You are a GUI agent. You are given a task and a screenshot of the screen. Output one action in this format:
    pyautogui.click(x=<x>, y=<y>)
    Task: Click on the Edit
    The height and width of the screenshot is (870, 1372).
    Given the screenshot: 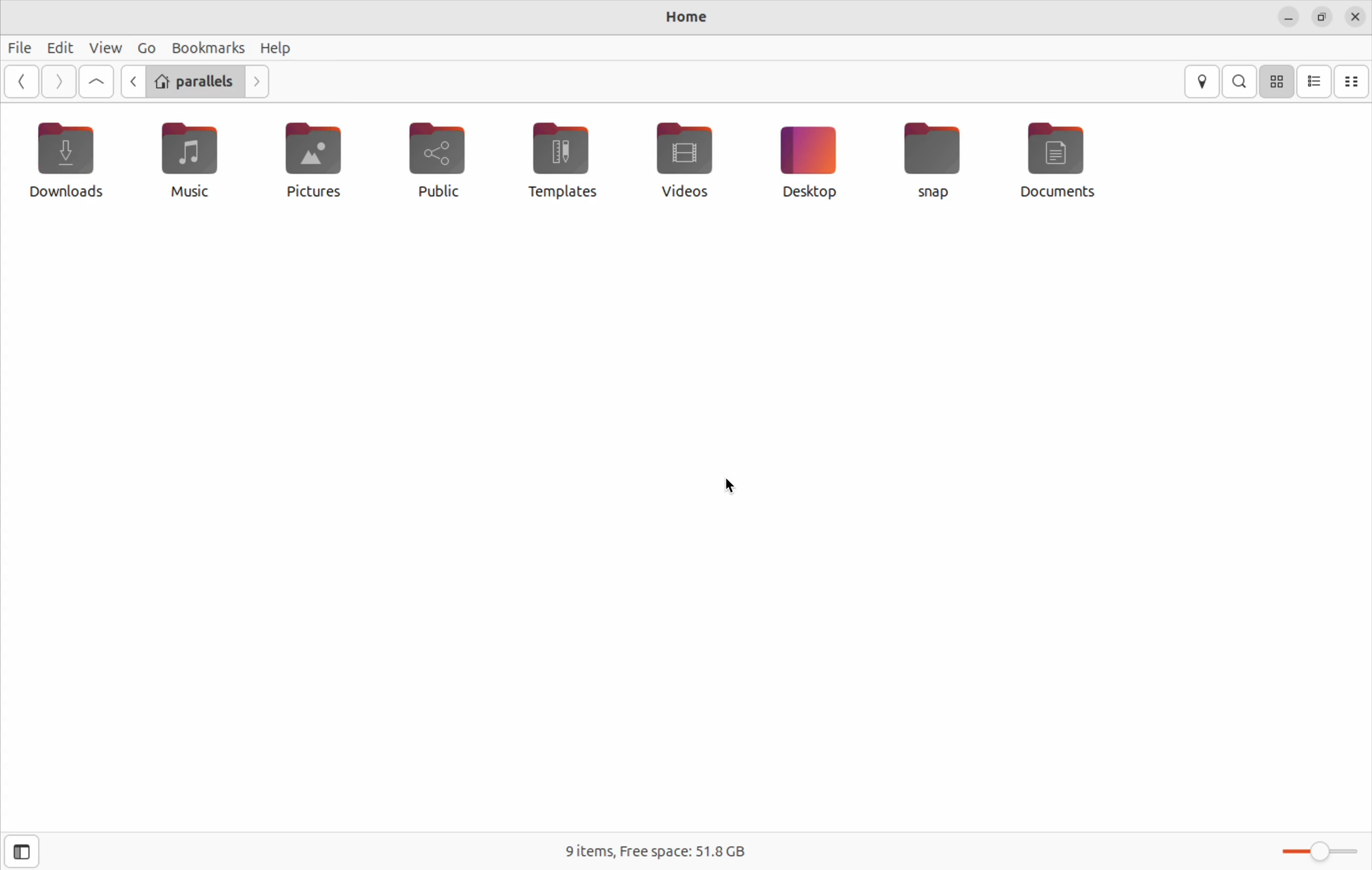 What is the action you would take?
    pyautogui.click(x=59, y=47)
    